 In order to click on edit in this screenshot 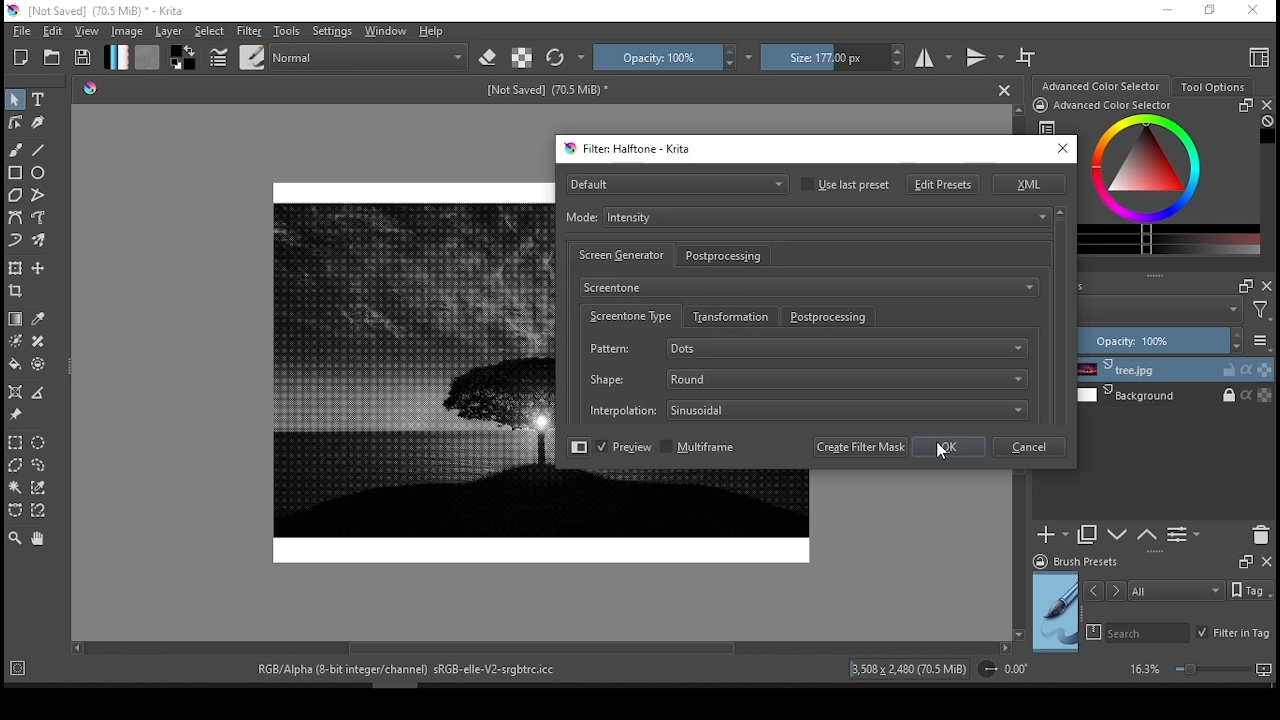, I will do `click(52, 31)`.